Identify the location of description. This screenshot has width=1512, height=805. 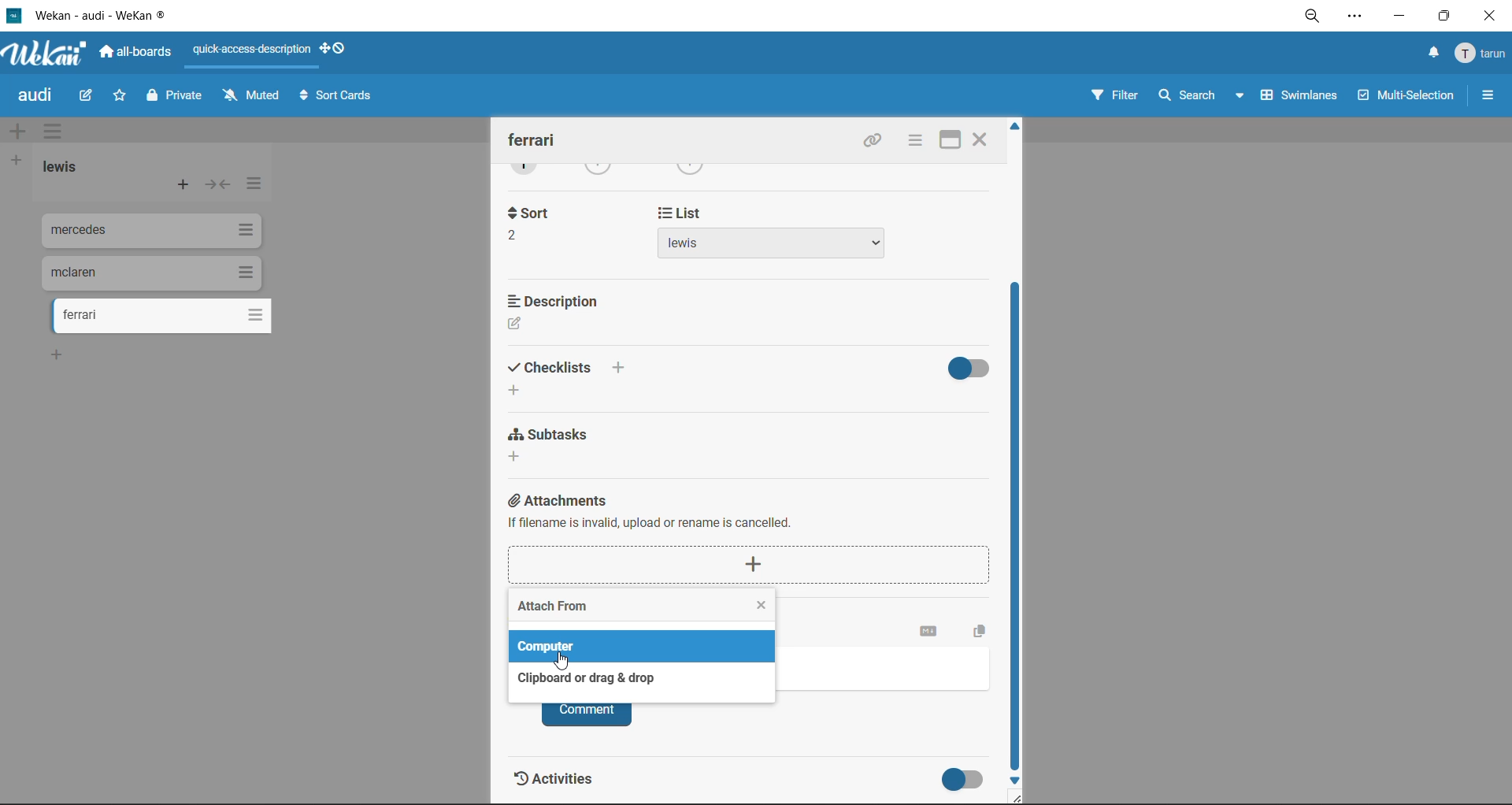
(565, 313).